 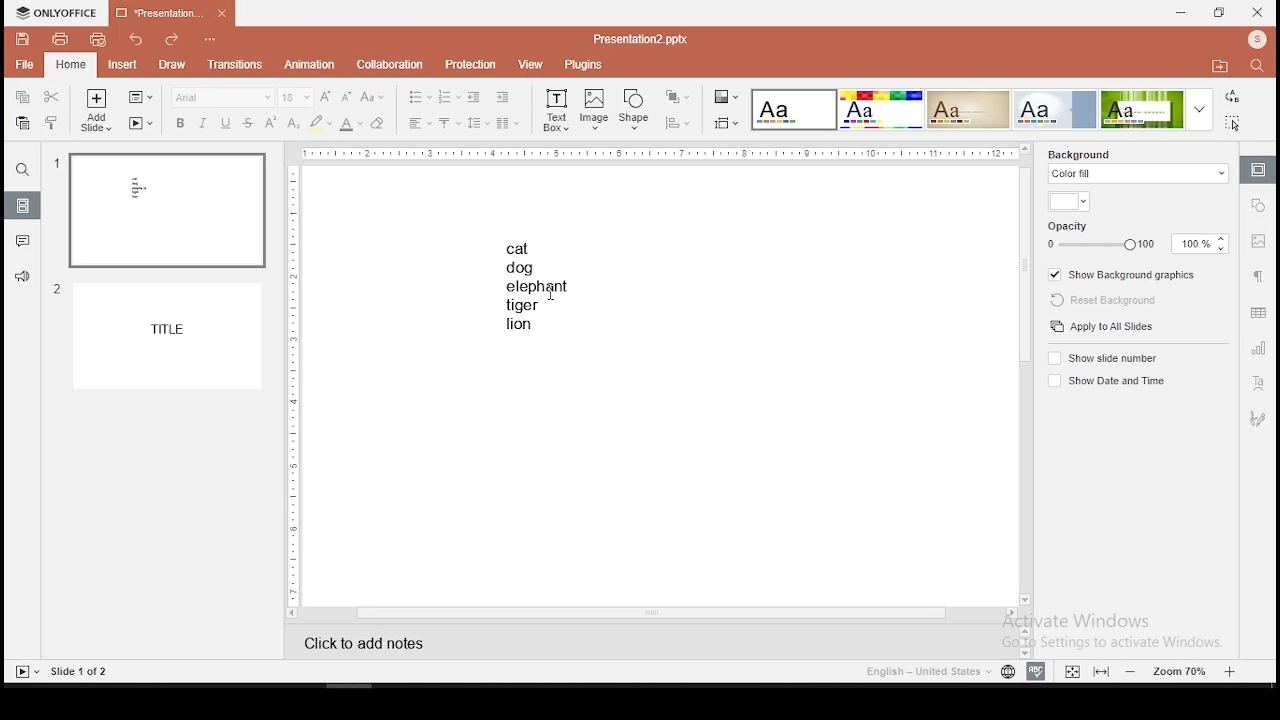 I want to click on columns, so click(x=506, y=122).